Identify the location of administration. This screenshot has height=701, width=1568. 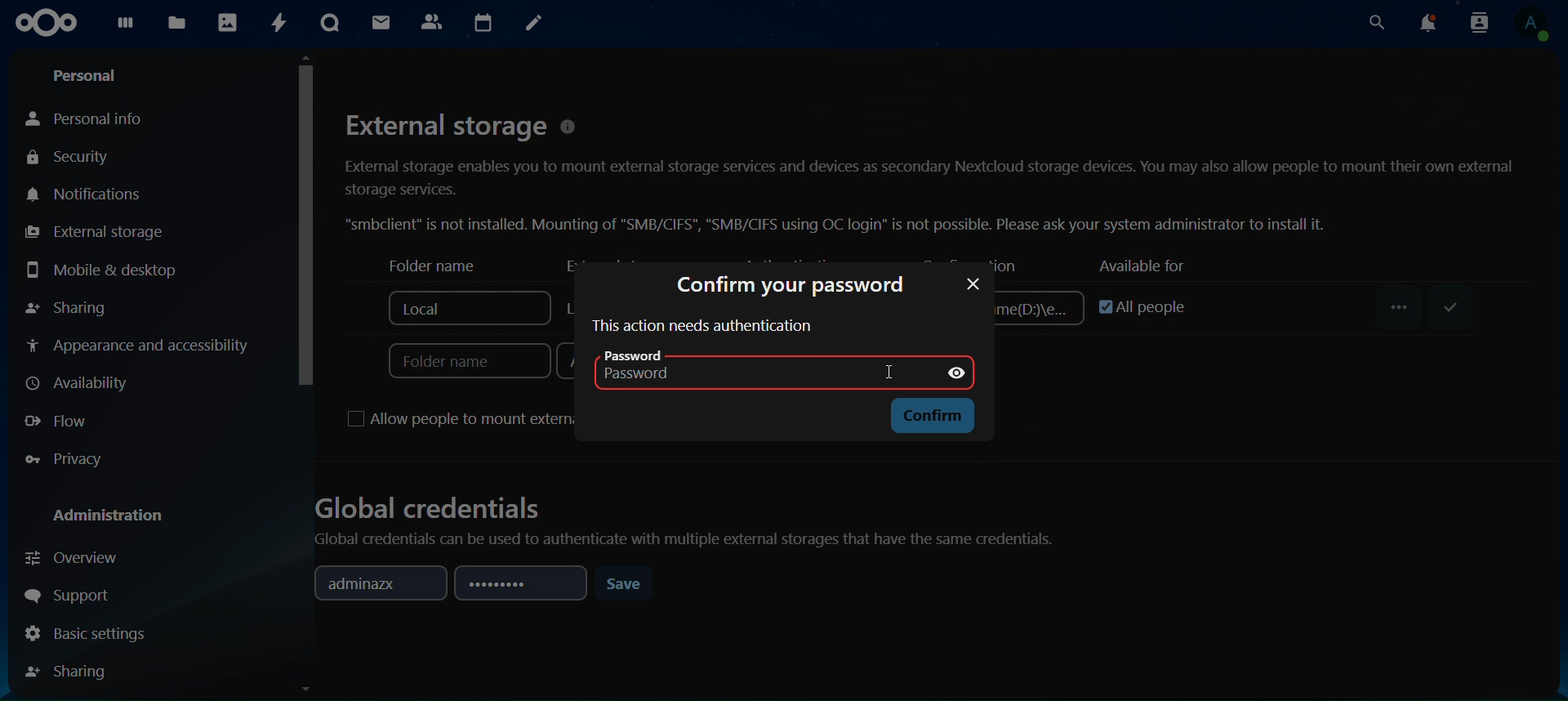
(109, 517).